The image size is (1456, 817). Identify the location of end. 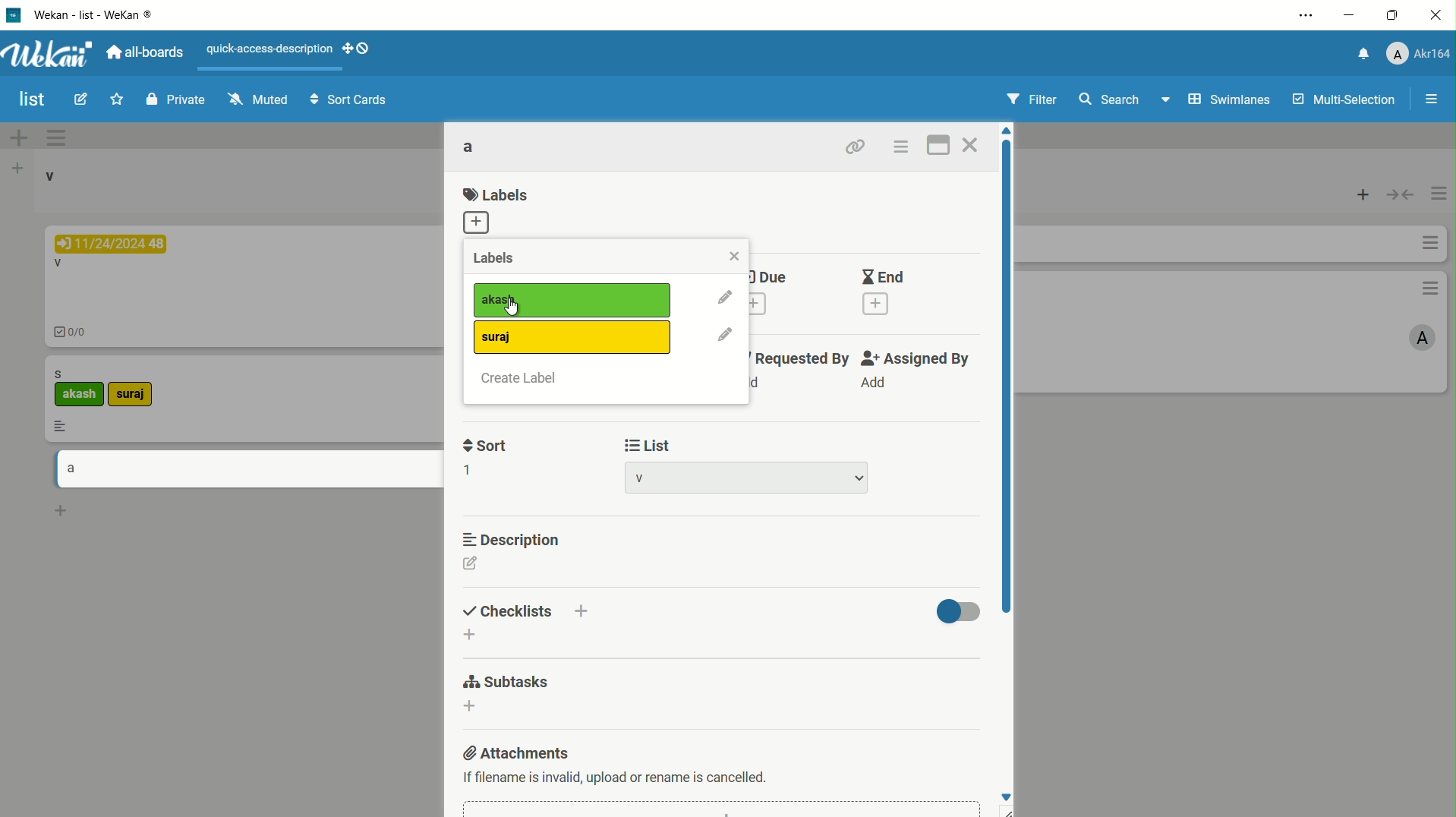
(881, 278).